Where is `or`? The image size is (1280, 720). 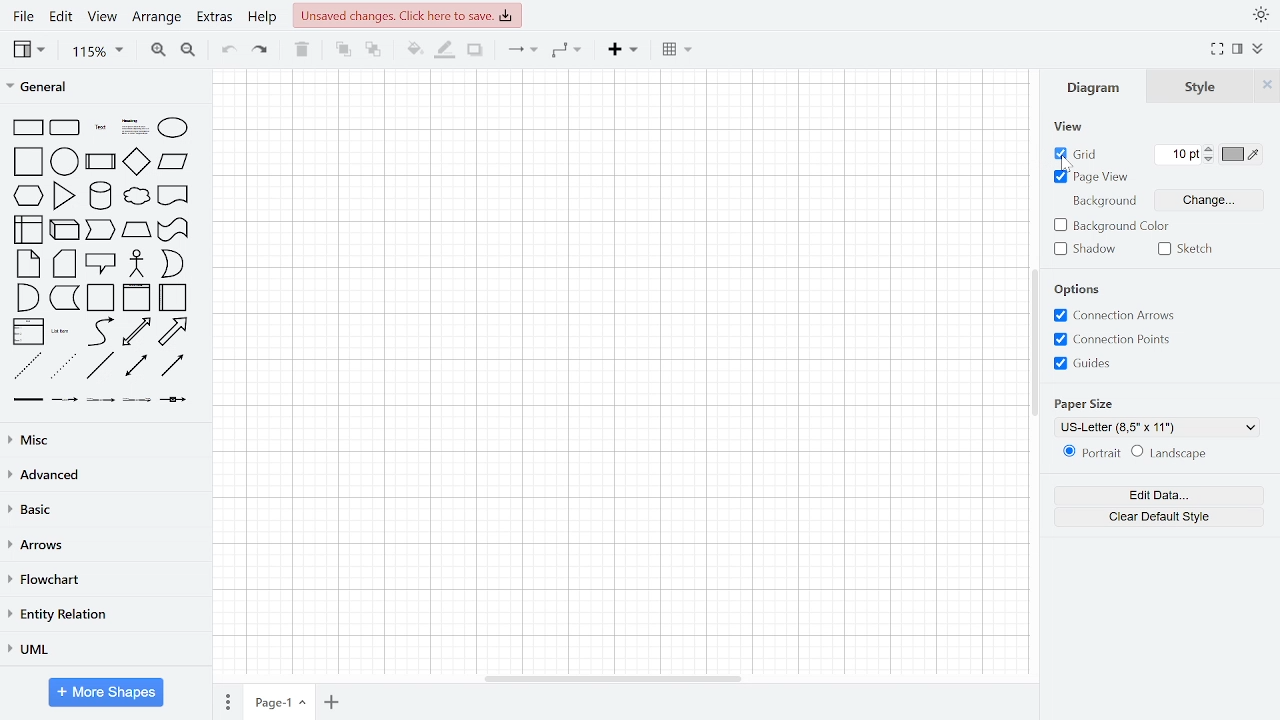
or is located at coordinates (173, 262).